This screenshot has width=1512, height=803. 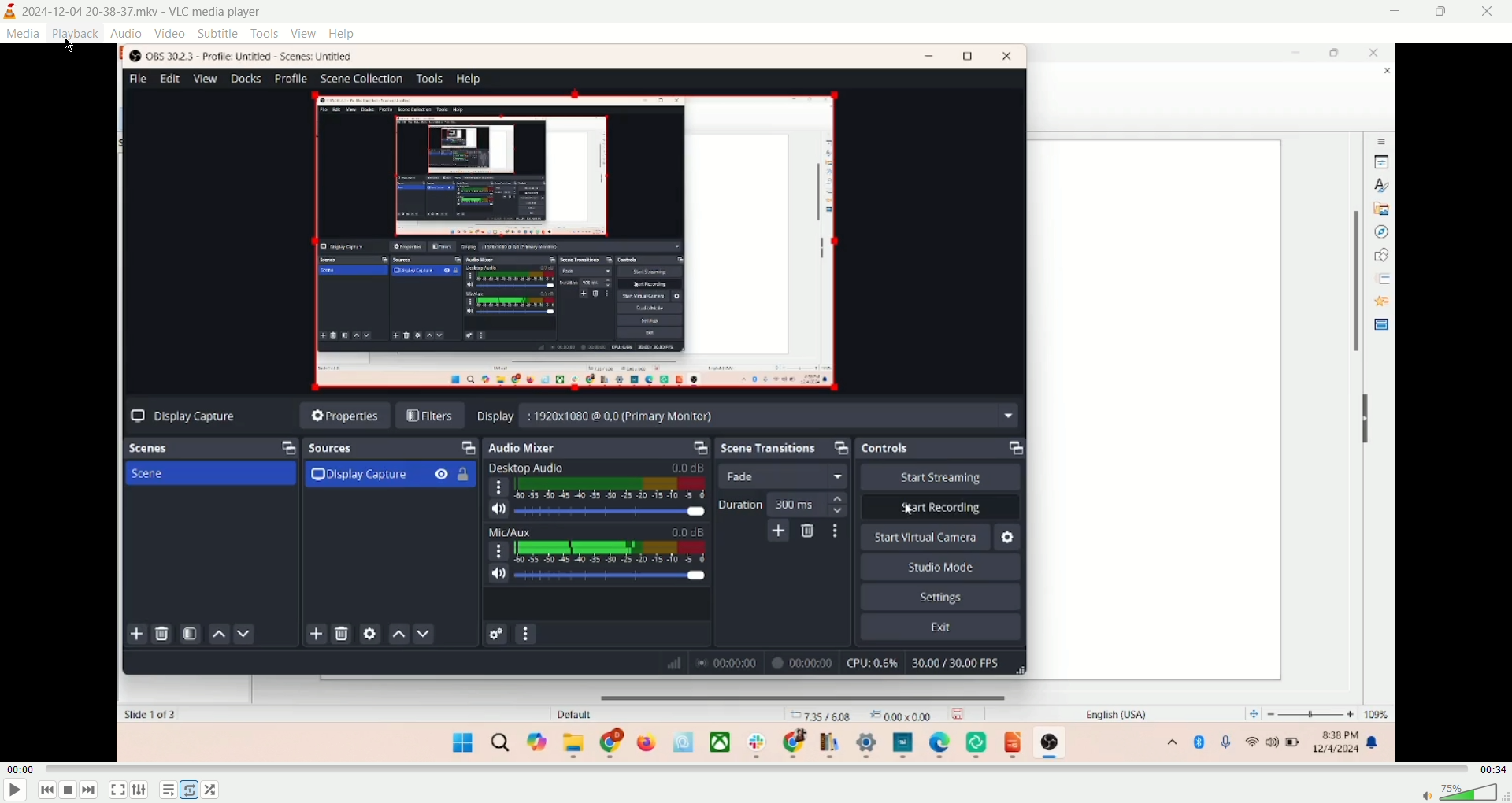 What do you see at coordinates (140, 792) in the screenshot?
I see `extended settings` at bounding box center [140, 792].